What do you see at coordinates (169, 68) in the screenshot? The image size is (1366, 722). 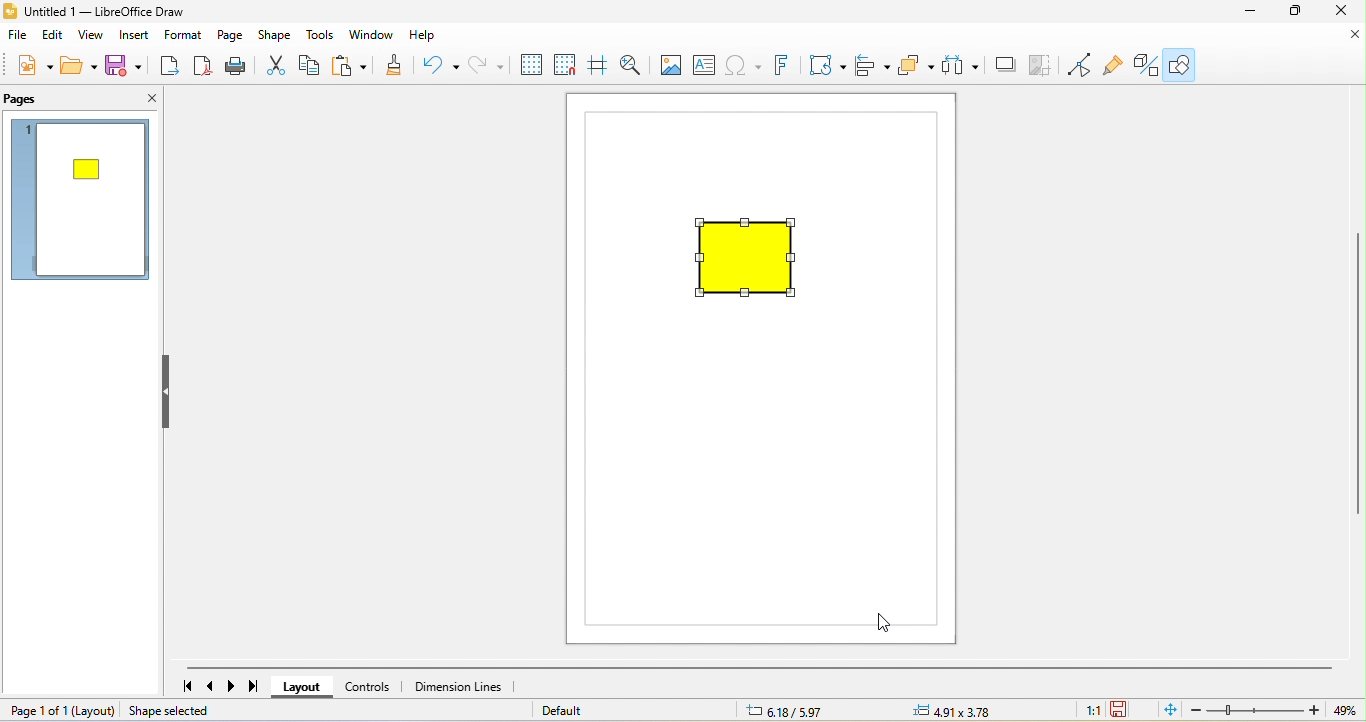 I see `export` at bounding box center [169, 68].